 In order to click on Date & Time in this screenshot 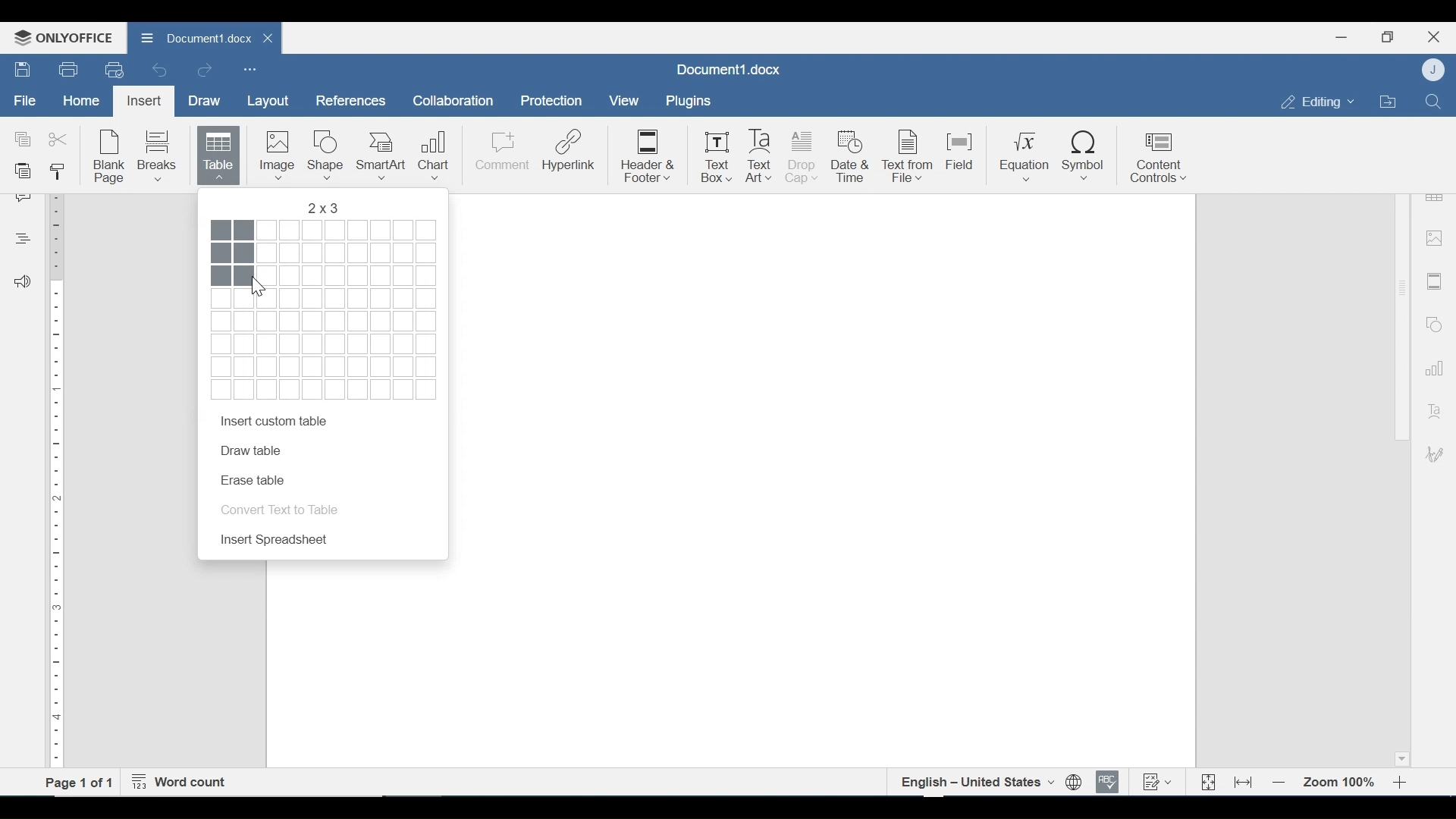, I will do `click(852, 158)`.